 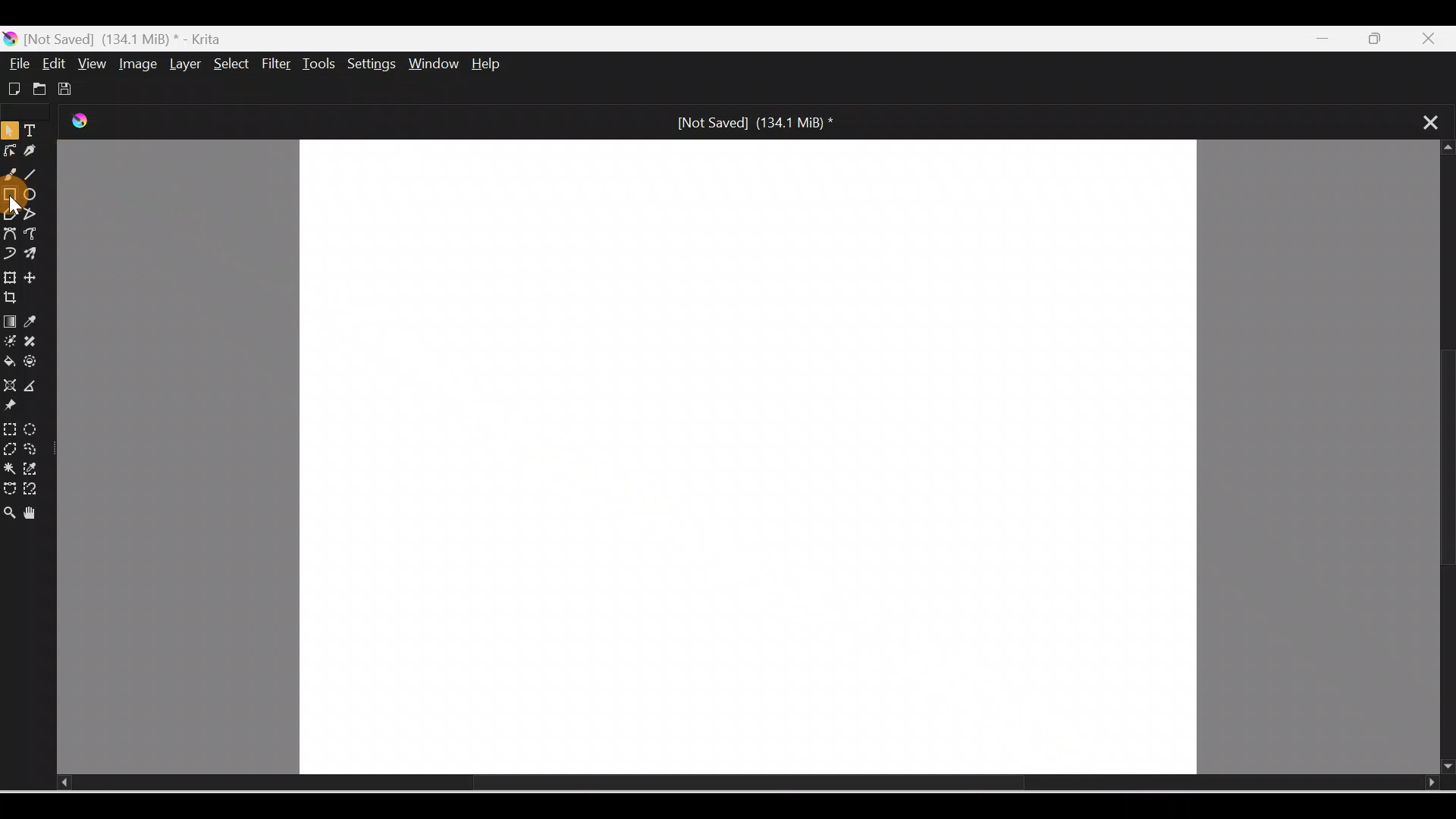 I want to click on Calligraphy, so click(x=32, y=152).